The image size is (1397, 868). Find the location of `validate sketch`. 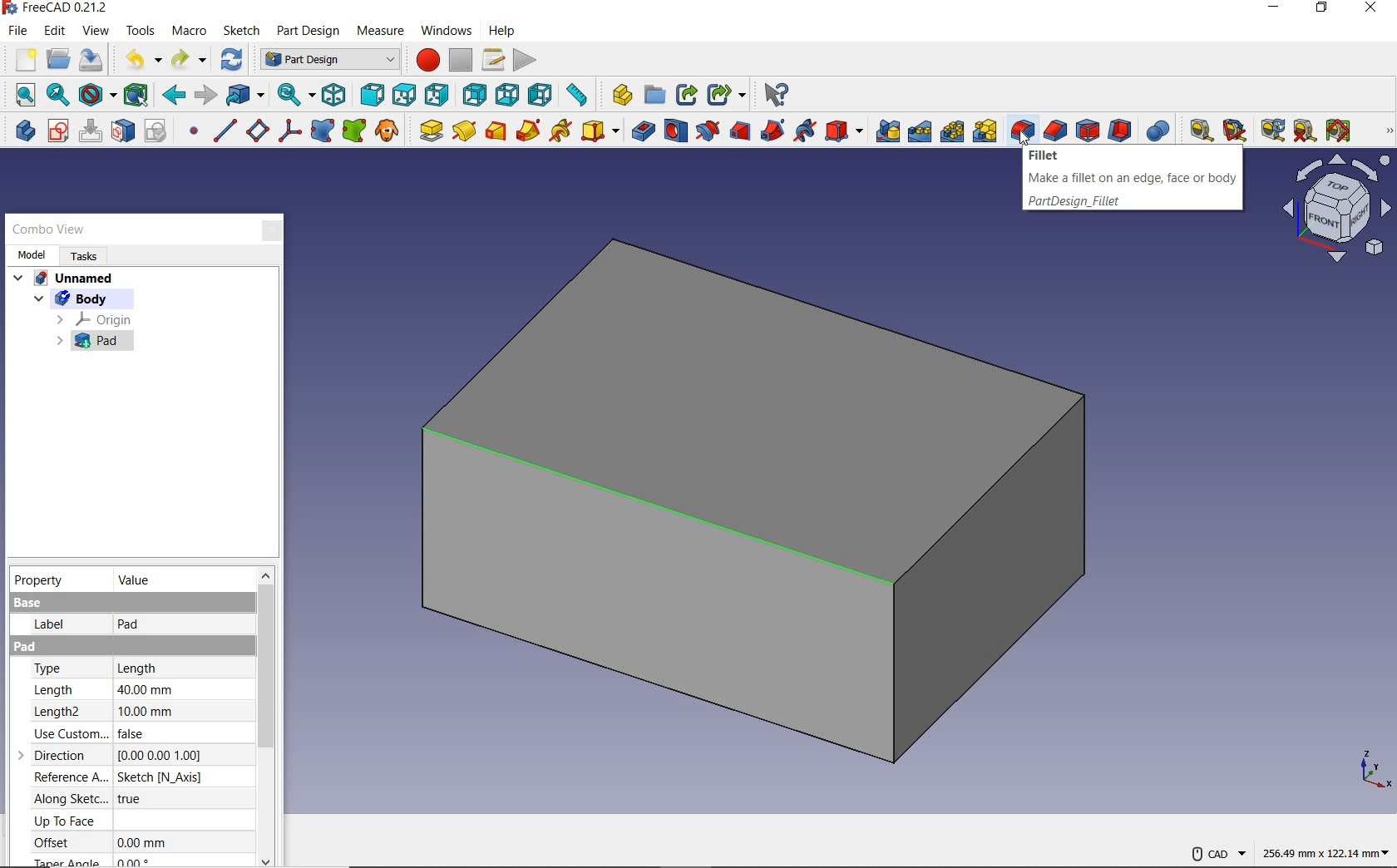

validate sketch is located at coordinates (155, 131).